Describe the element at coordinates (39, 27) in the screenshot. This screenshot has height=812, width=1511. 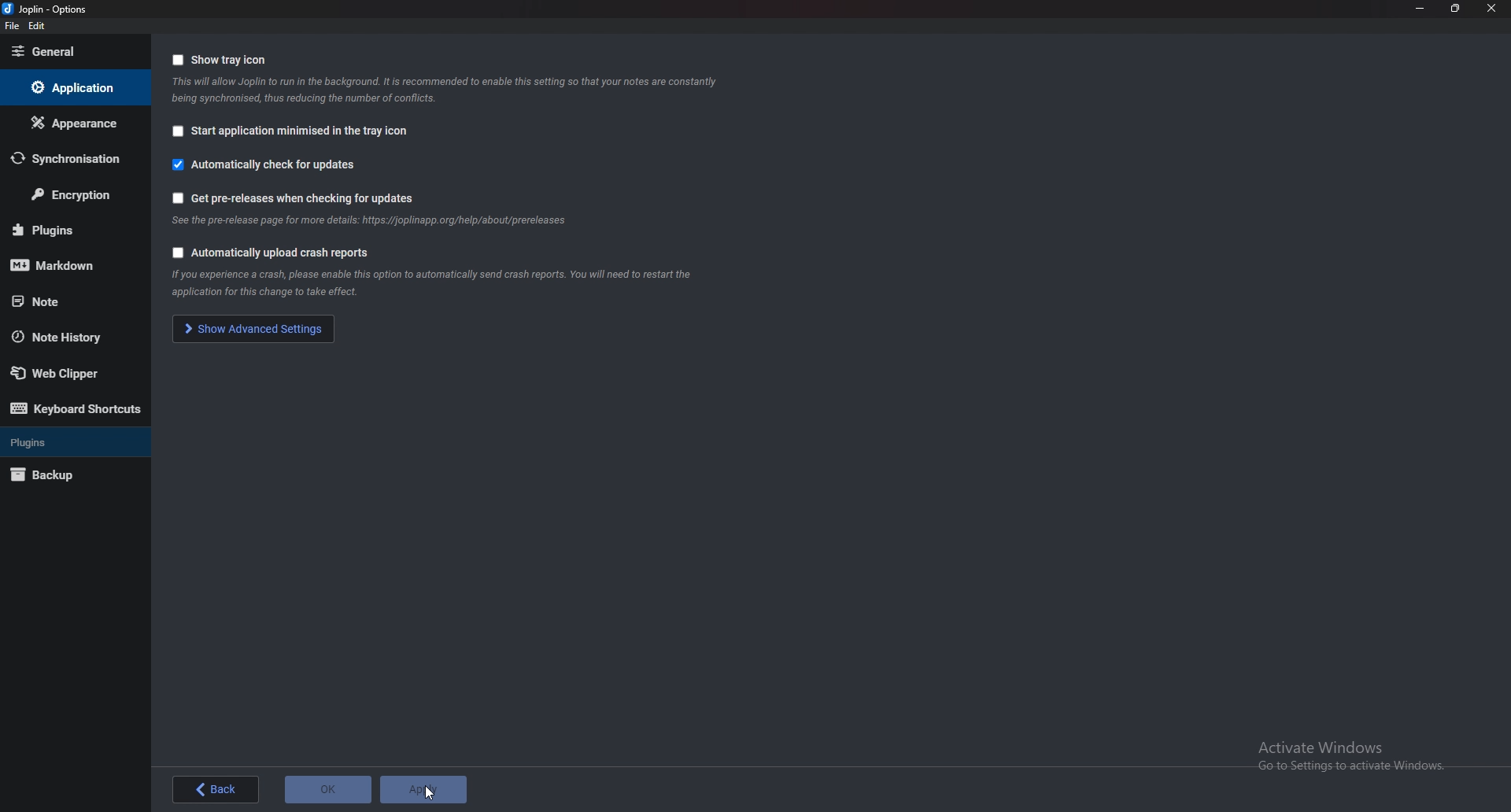
I see `Edit` at that location.